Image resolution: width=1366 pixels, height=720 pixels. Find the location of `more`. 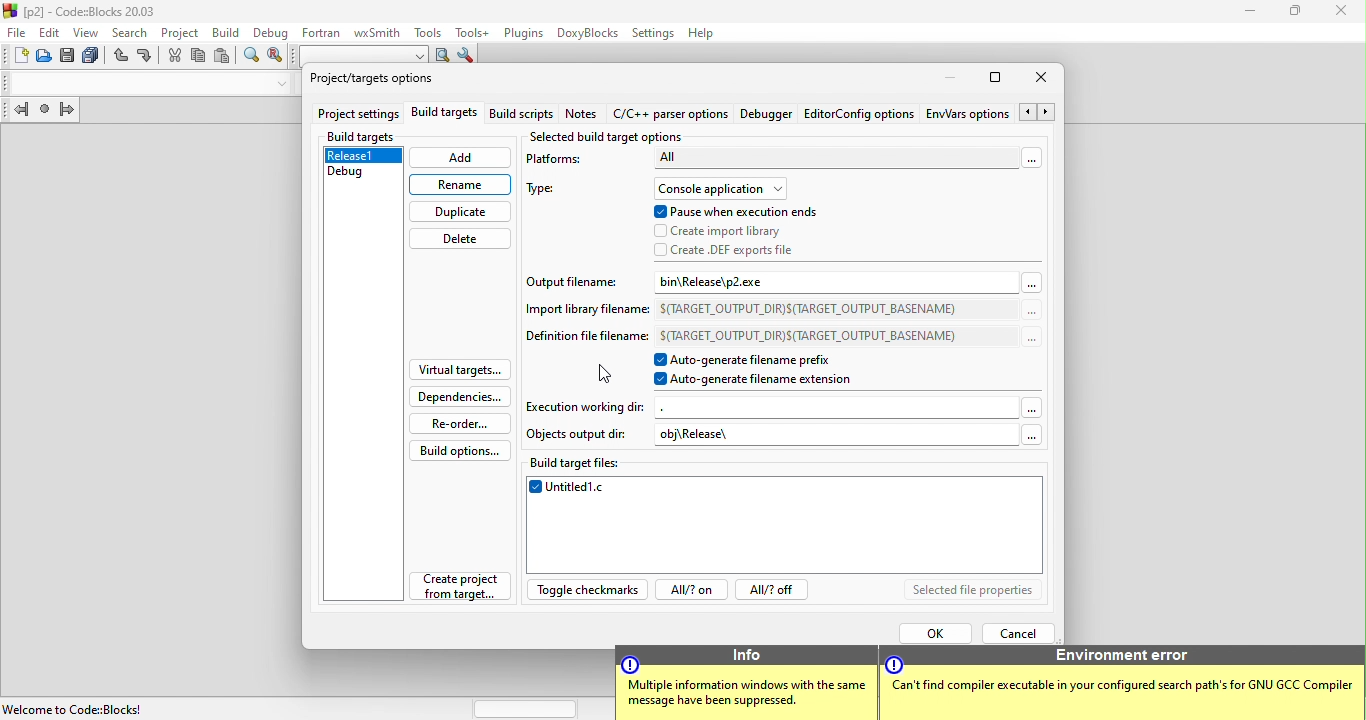

more is located at coordinates (1031, 312).